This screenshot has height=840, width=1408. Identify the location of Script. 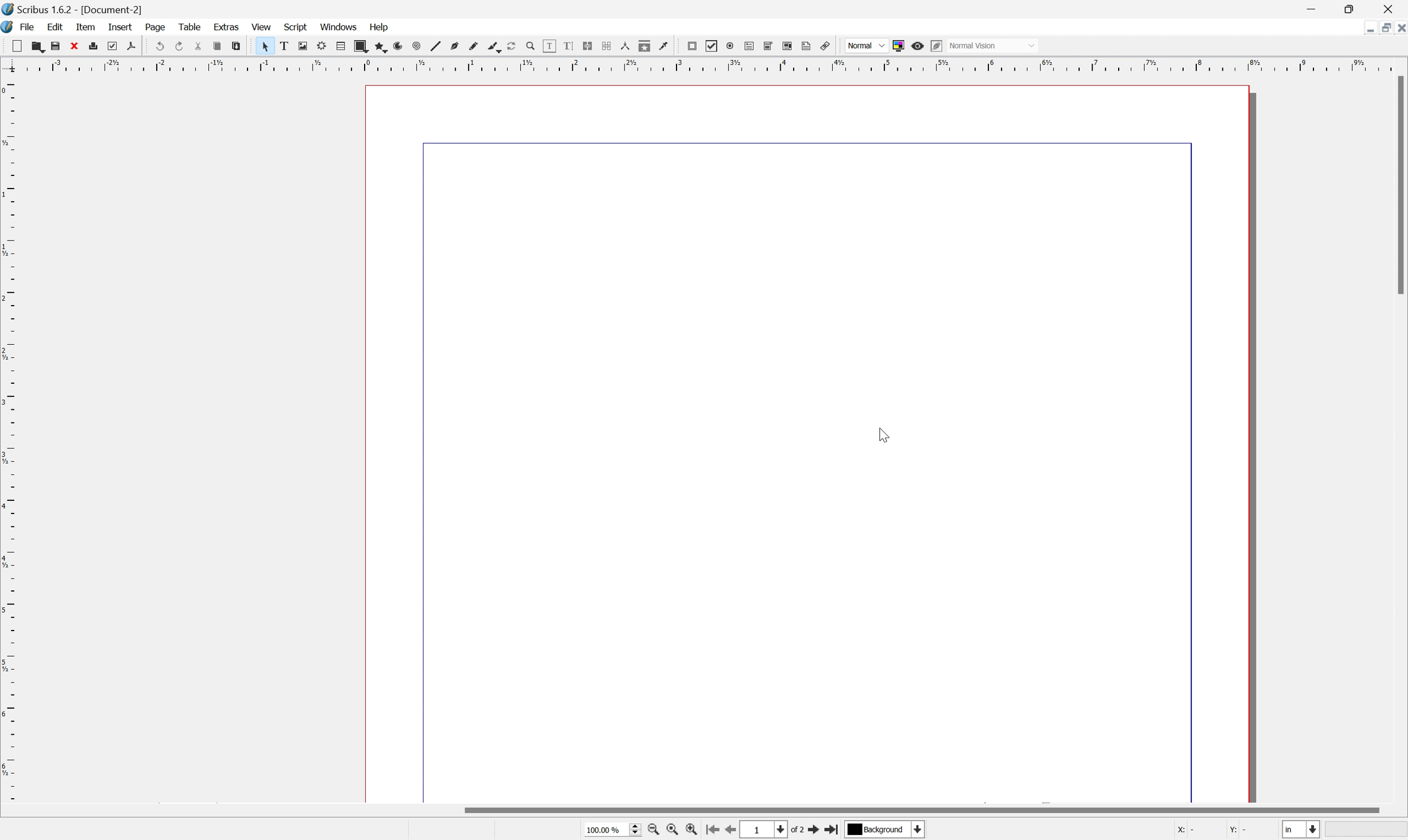
(296, 28).